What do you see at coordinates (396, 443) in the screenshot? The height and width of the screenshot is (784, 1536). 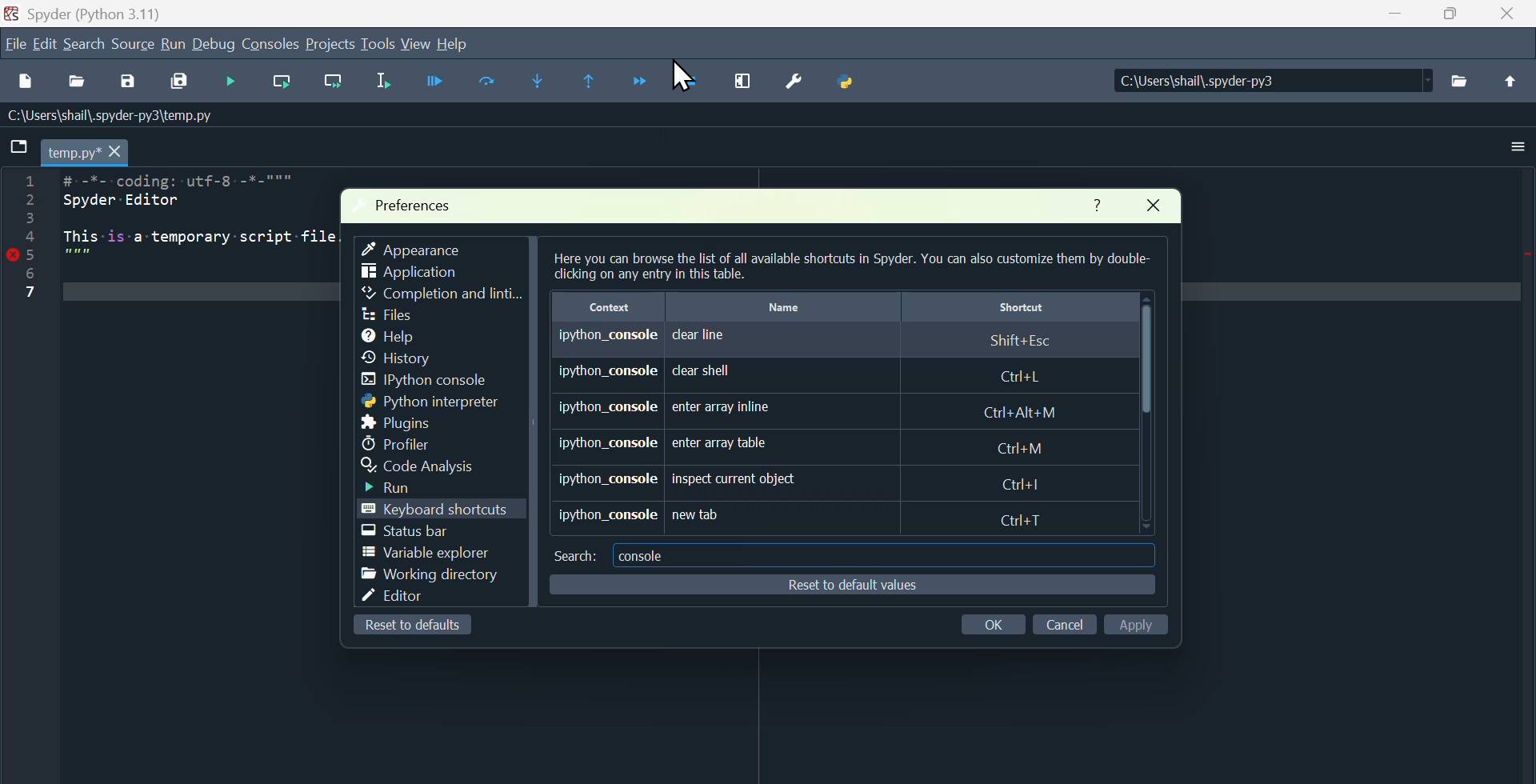 I see `Profiler` at bounding box center [396, 443].